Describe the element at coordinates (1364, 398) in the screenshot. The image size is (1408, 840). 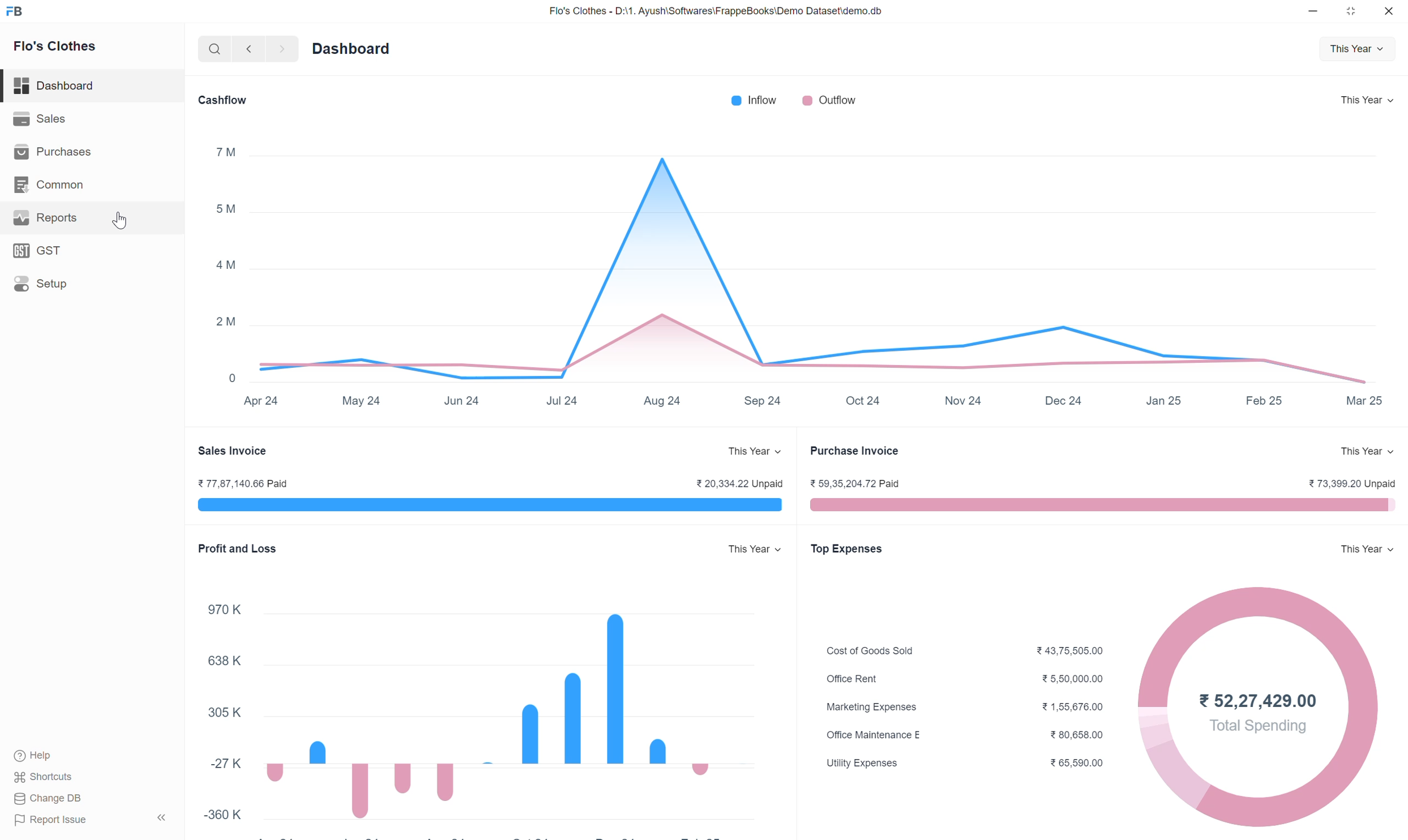
I see `Mar 25` at that location.